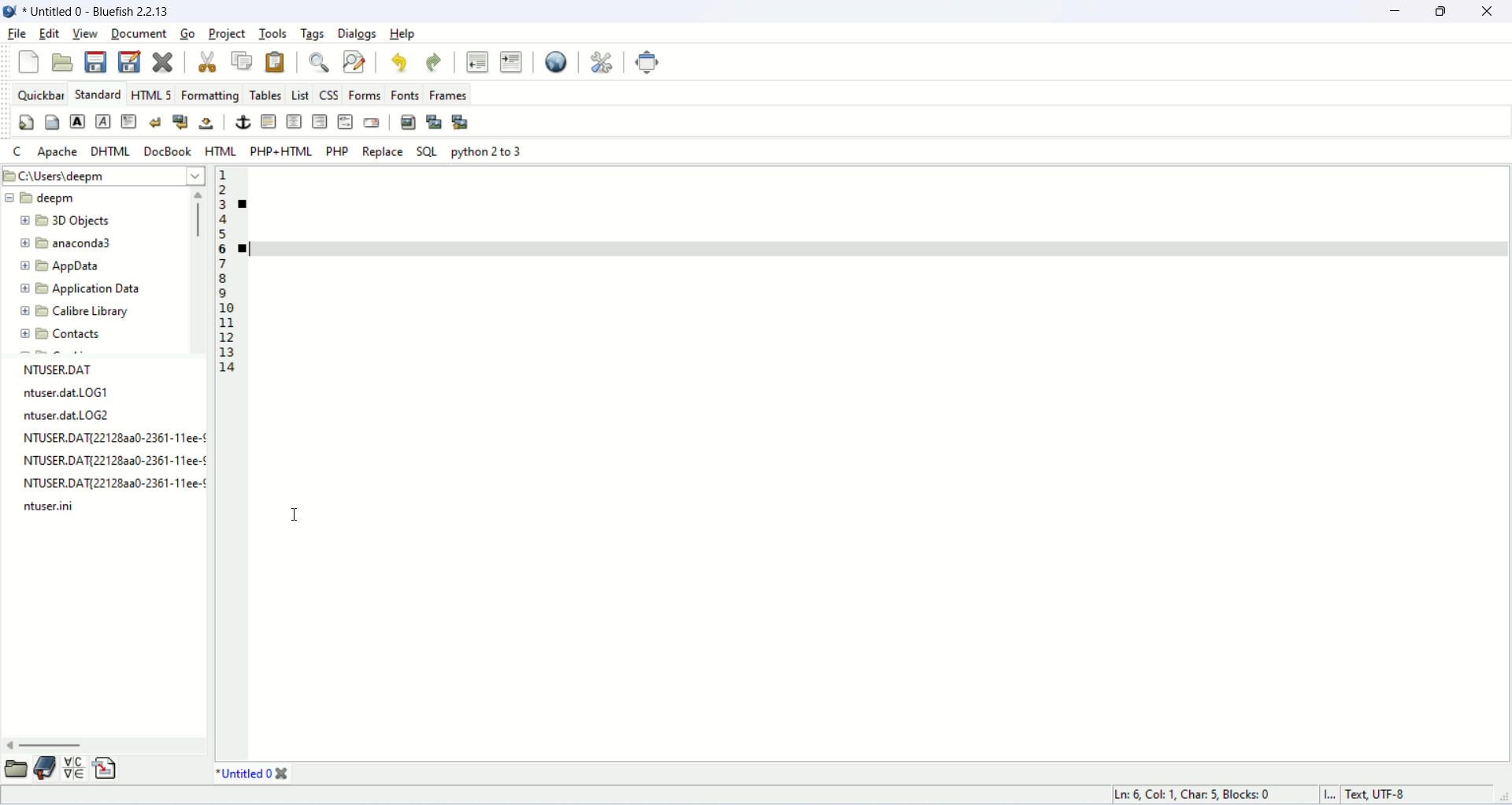  What do you see at coordinates (187, 34) in the screenshot?
I see `go` at bounding box center [187, 34].